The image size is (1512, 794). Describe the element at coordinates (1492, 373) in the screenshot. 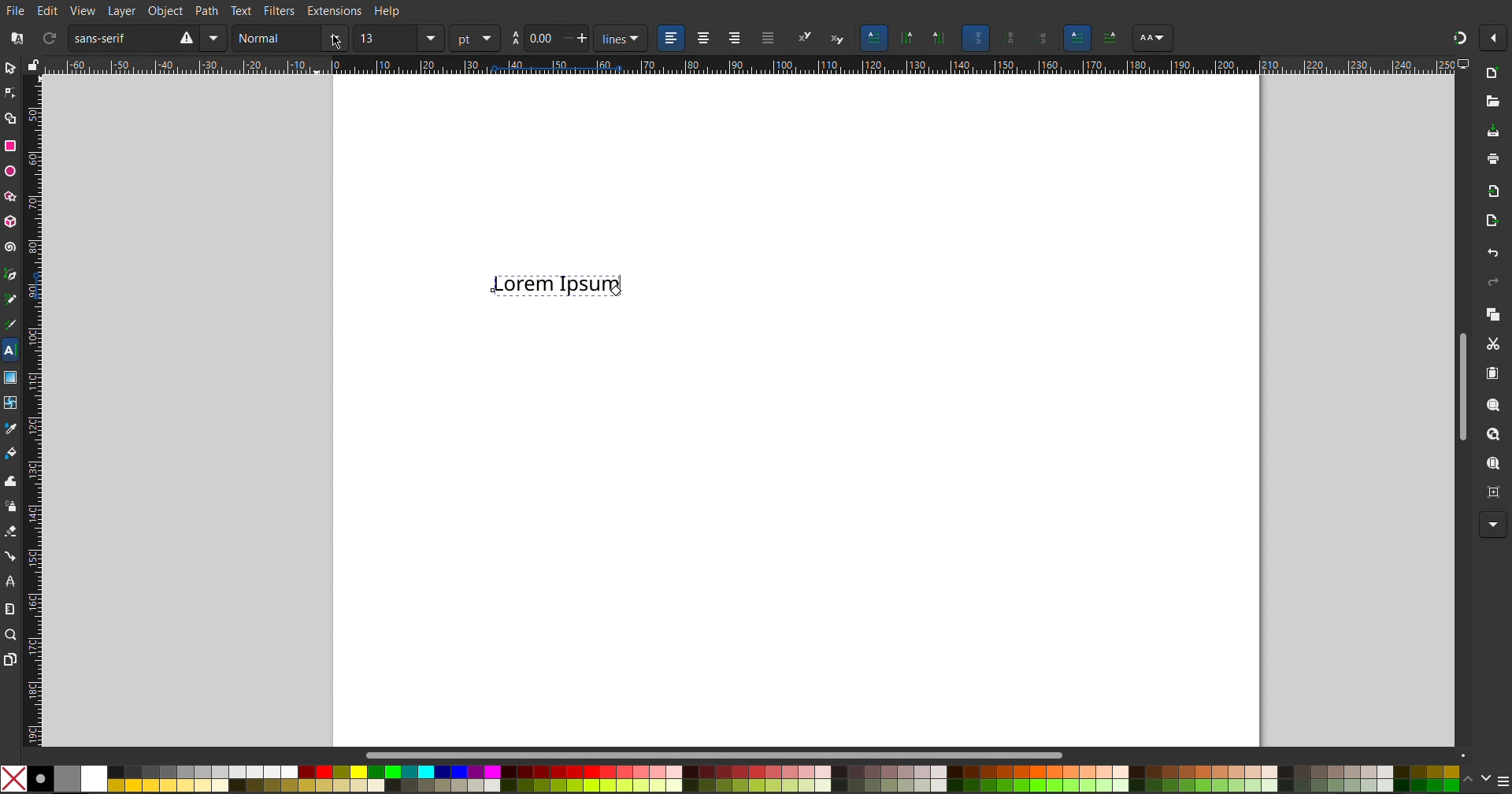

I see `Paste` at that location.